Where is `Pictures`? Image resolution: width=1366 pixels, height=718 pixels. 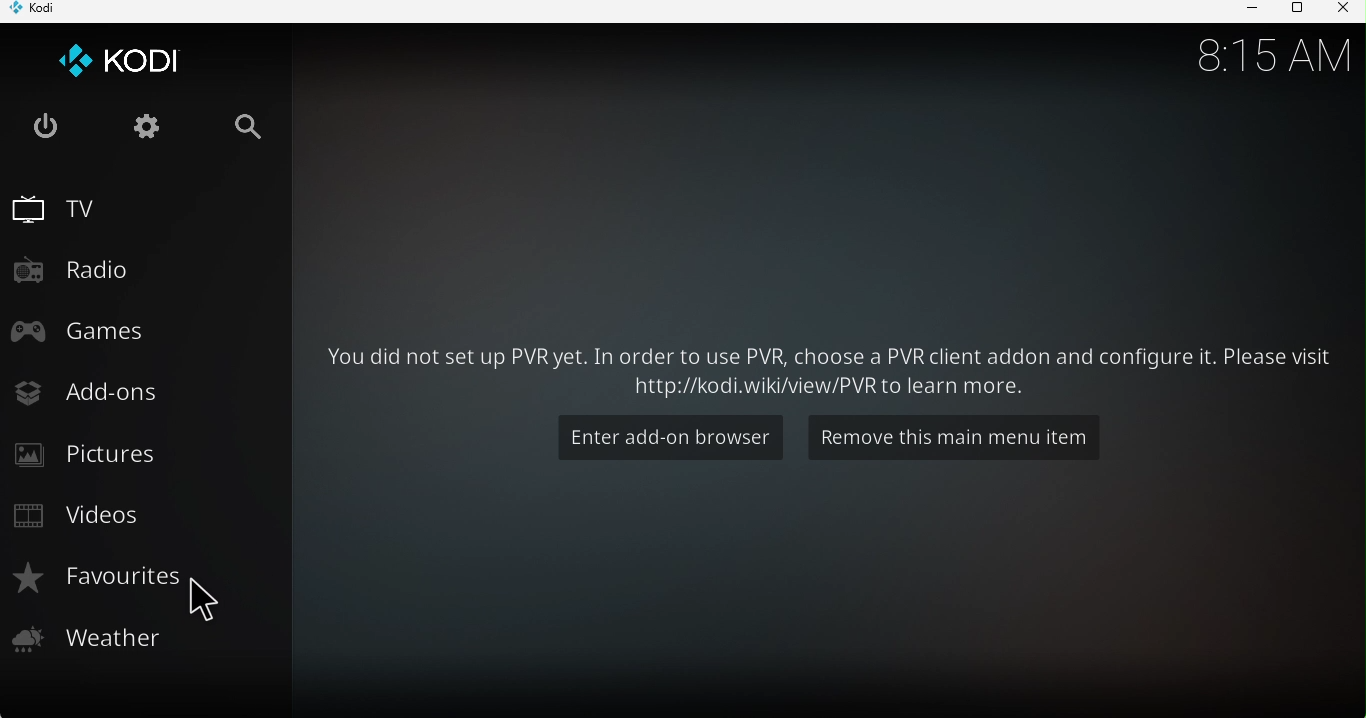
Pictures is located at coordinates (130, 452).